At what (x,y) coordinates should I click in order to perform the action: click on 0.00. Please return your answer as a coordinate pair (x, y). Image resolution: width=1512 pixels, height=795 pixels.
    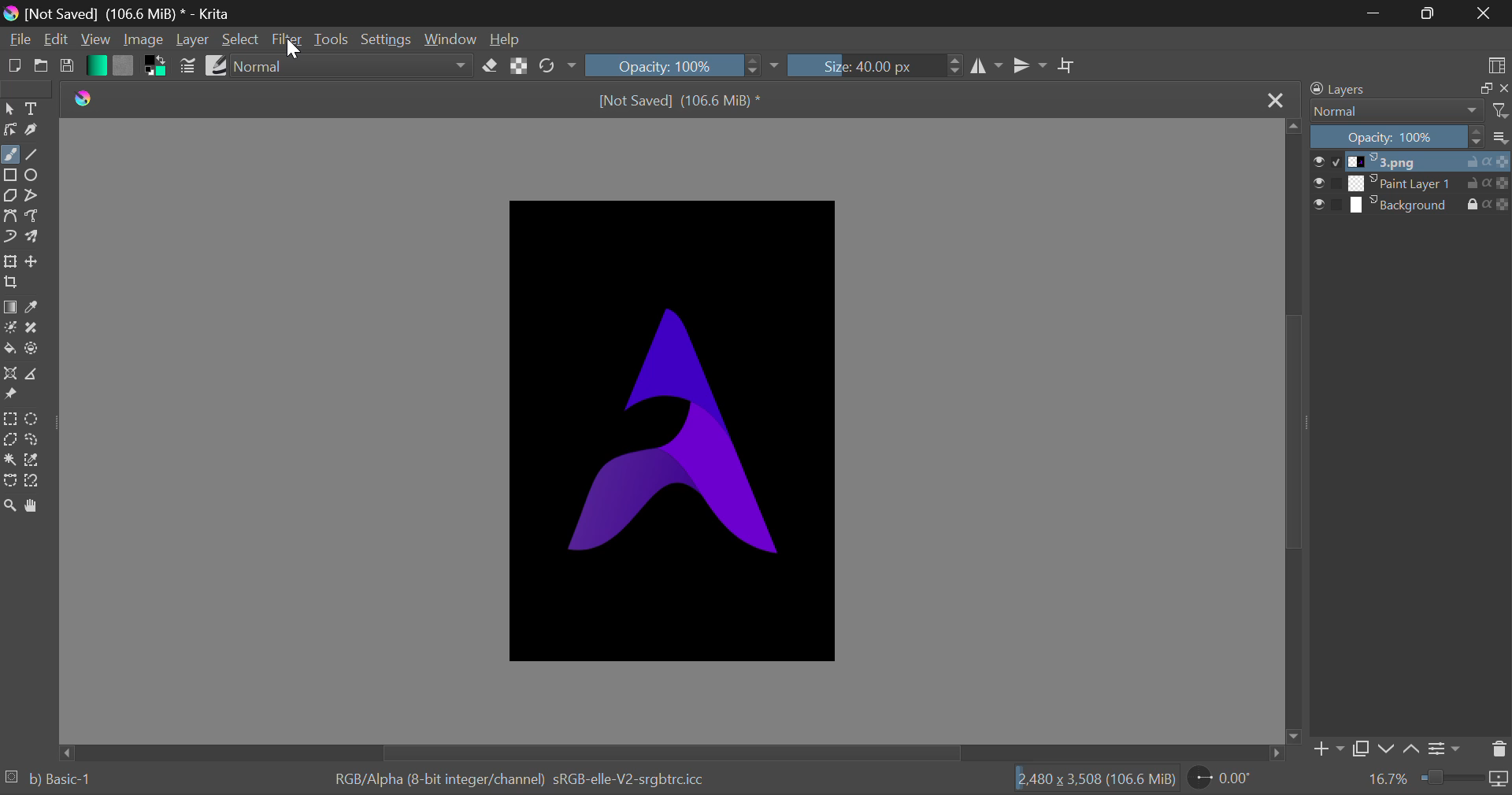
    Looking at the image, I should click on (1225, 780).